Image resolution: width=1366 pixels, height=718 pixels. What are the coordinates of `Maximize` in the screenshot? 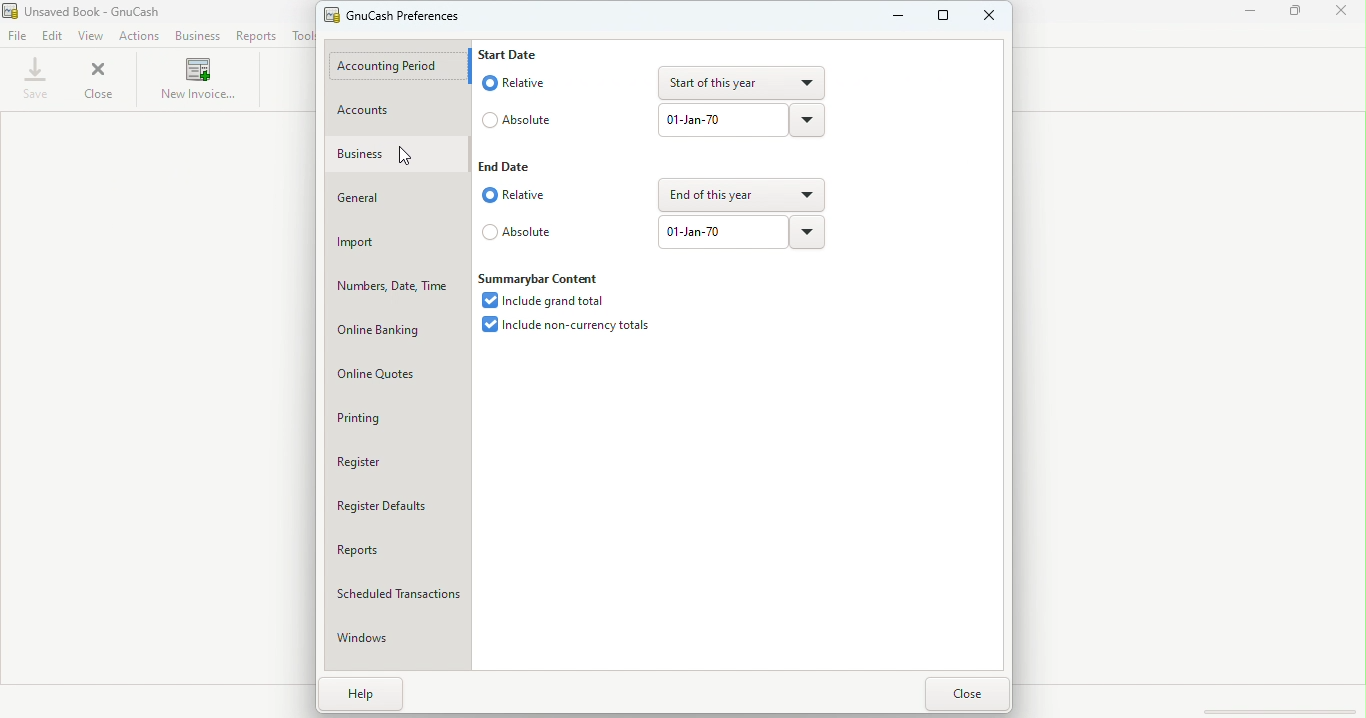 It's located at (1299, 15).